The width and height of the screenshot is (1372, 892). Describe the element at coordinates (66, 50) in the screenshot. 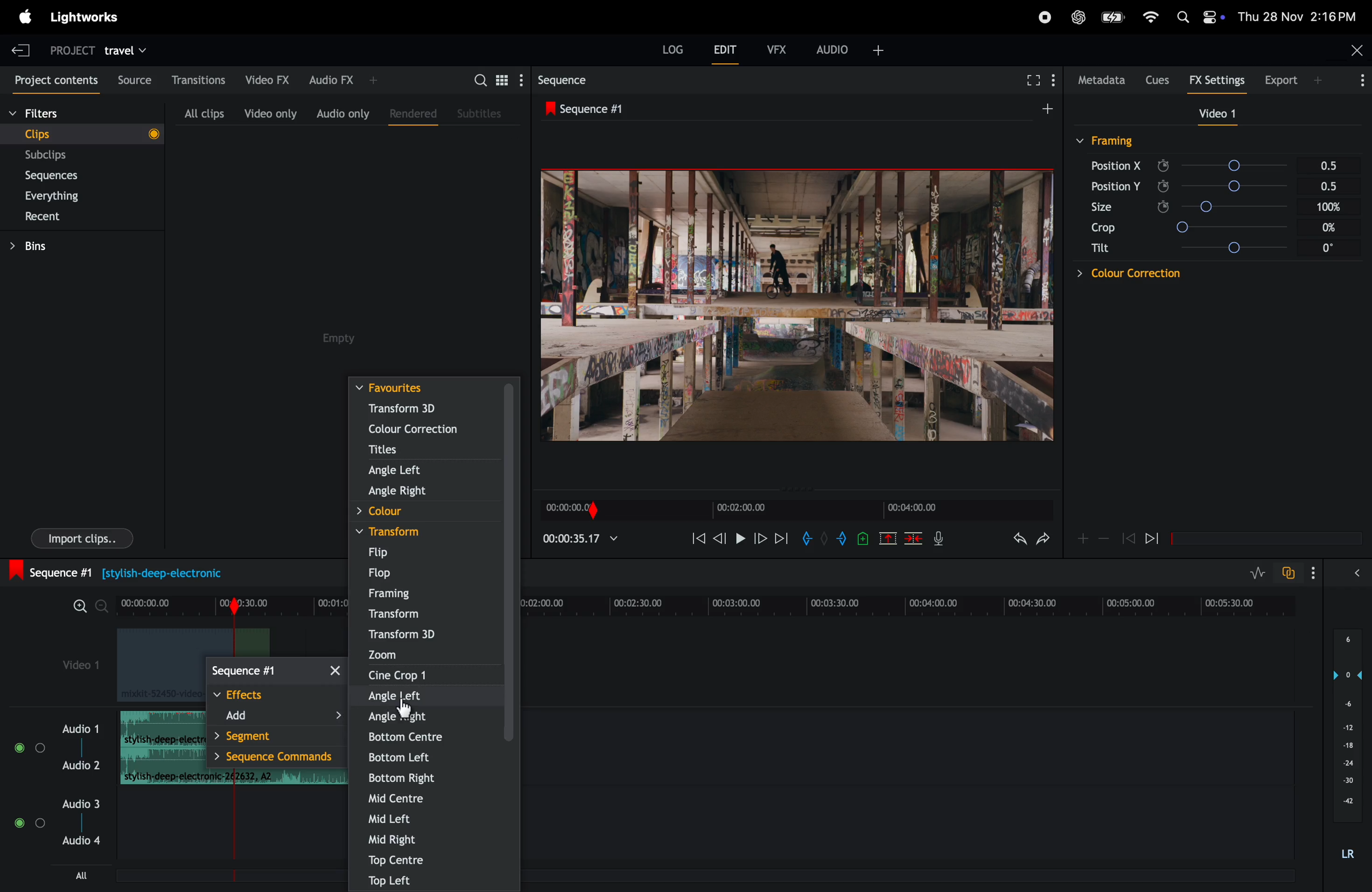

I see `project` at that location.